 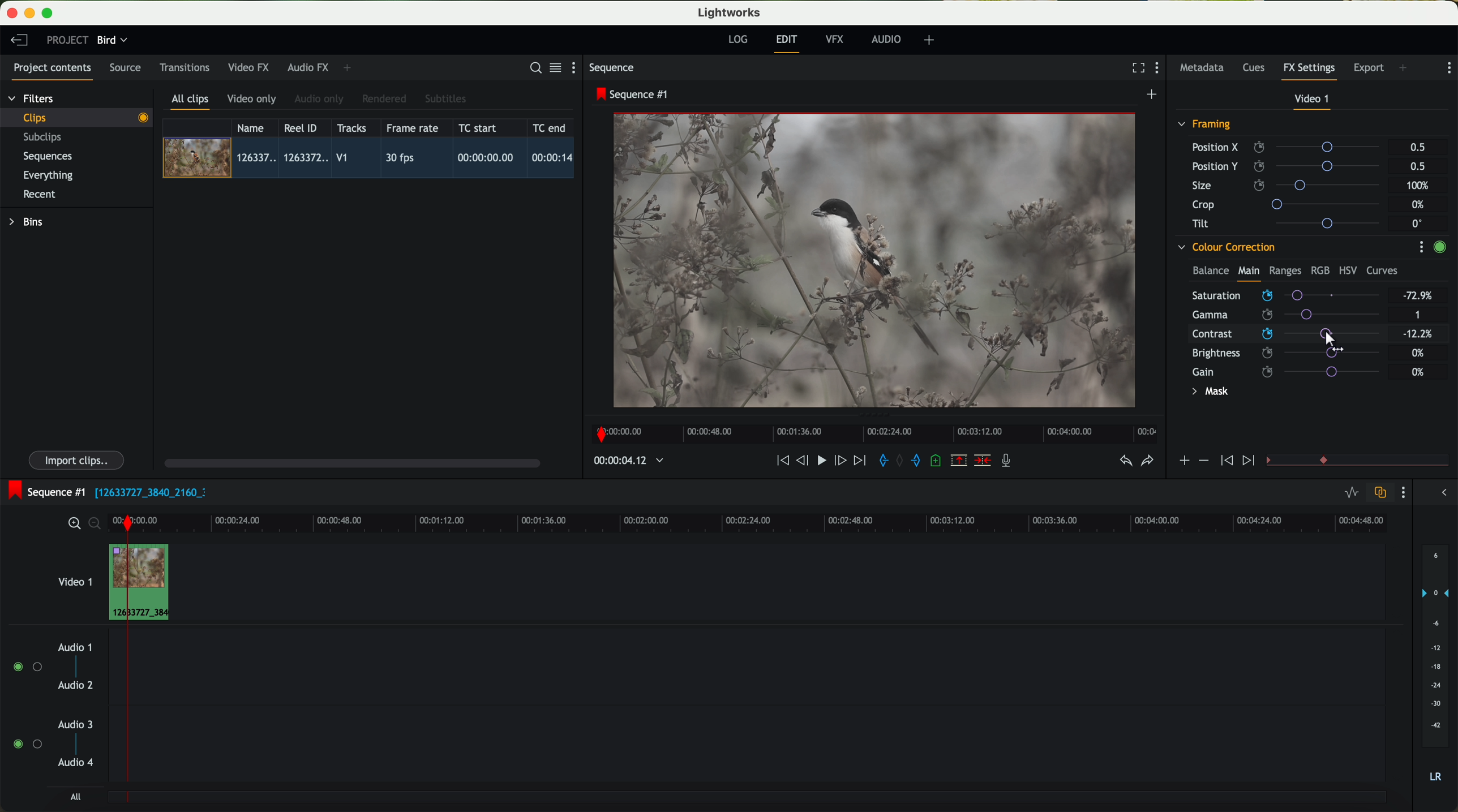 I want to click on mask, so click(x=1208, y=393).